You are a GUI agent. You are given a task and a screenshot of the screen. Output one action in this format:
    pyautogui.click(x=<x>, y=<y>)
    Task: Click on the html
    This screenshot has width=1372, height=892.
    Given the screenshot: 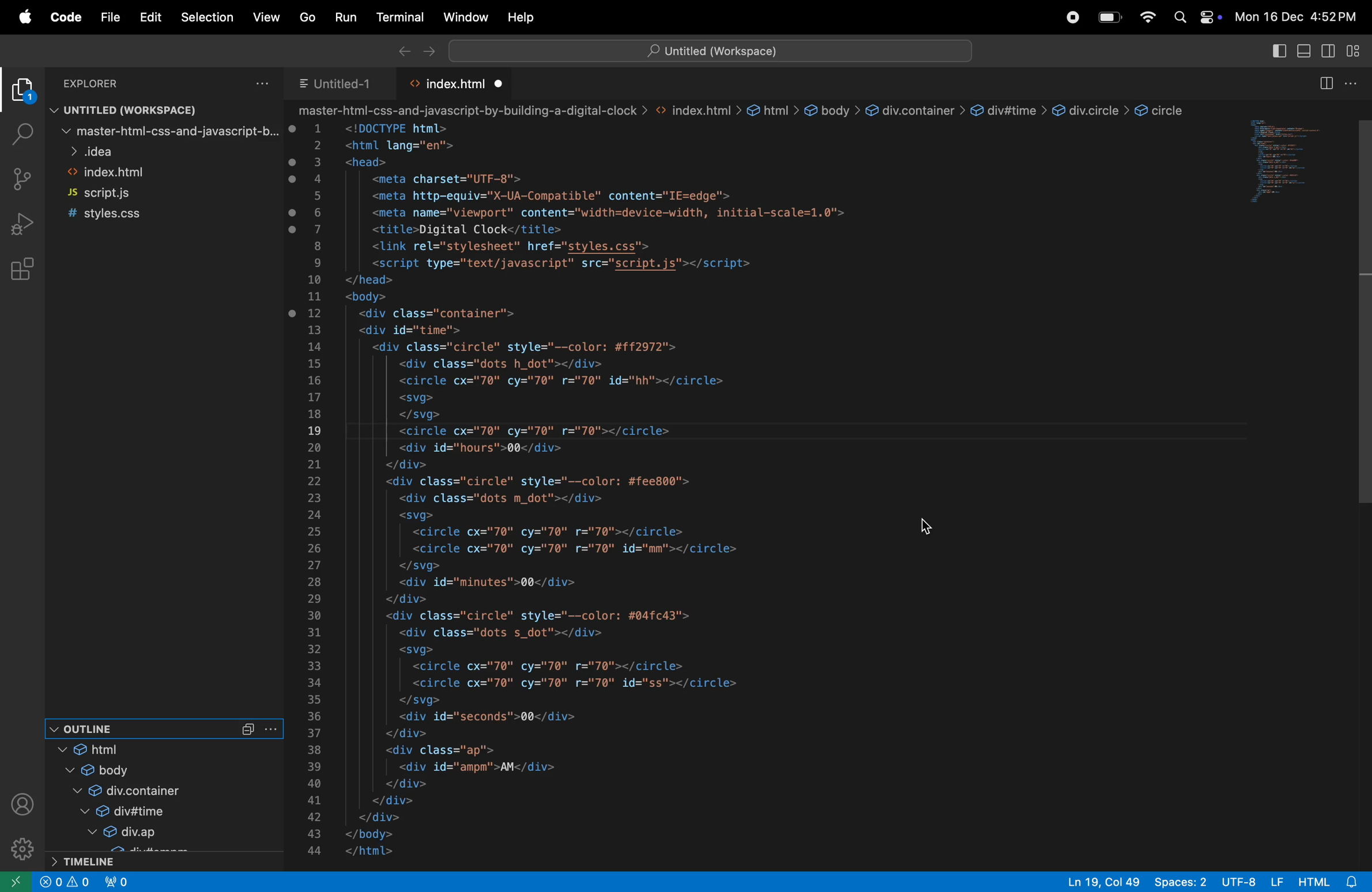 What is the action you would take?
    pyautogui.click(x=111, y=751)
    